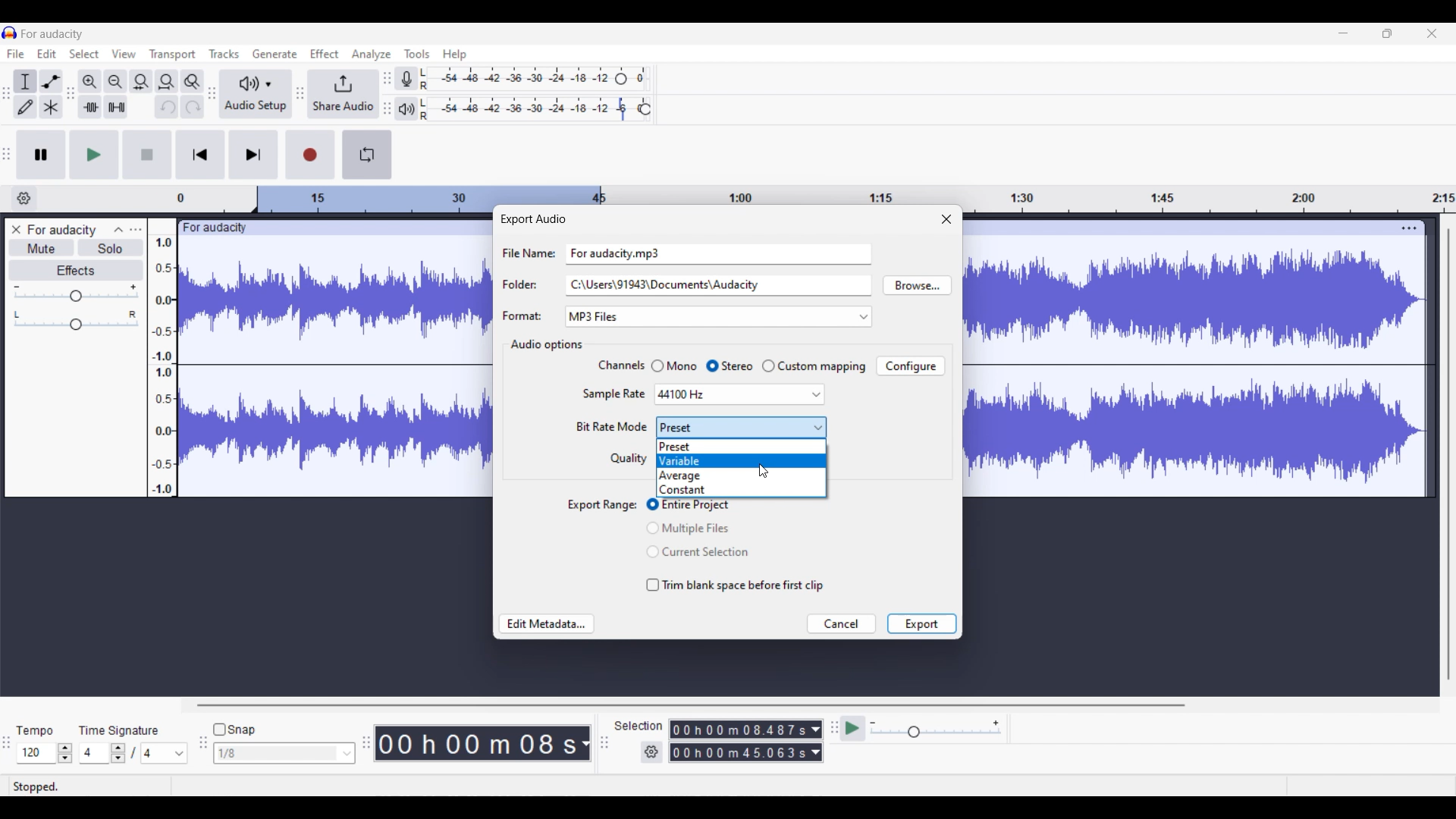 This screenshot has height=819, width=1456. What do you see at coordinates (77, 271) in the screenshot?
I see `Effects` at bounding box center [77, 271].